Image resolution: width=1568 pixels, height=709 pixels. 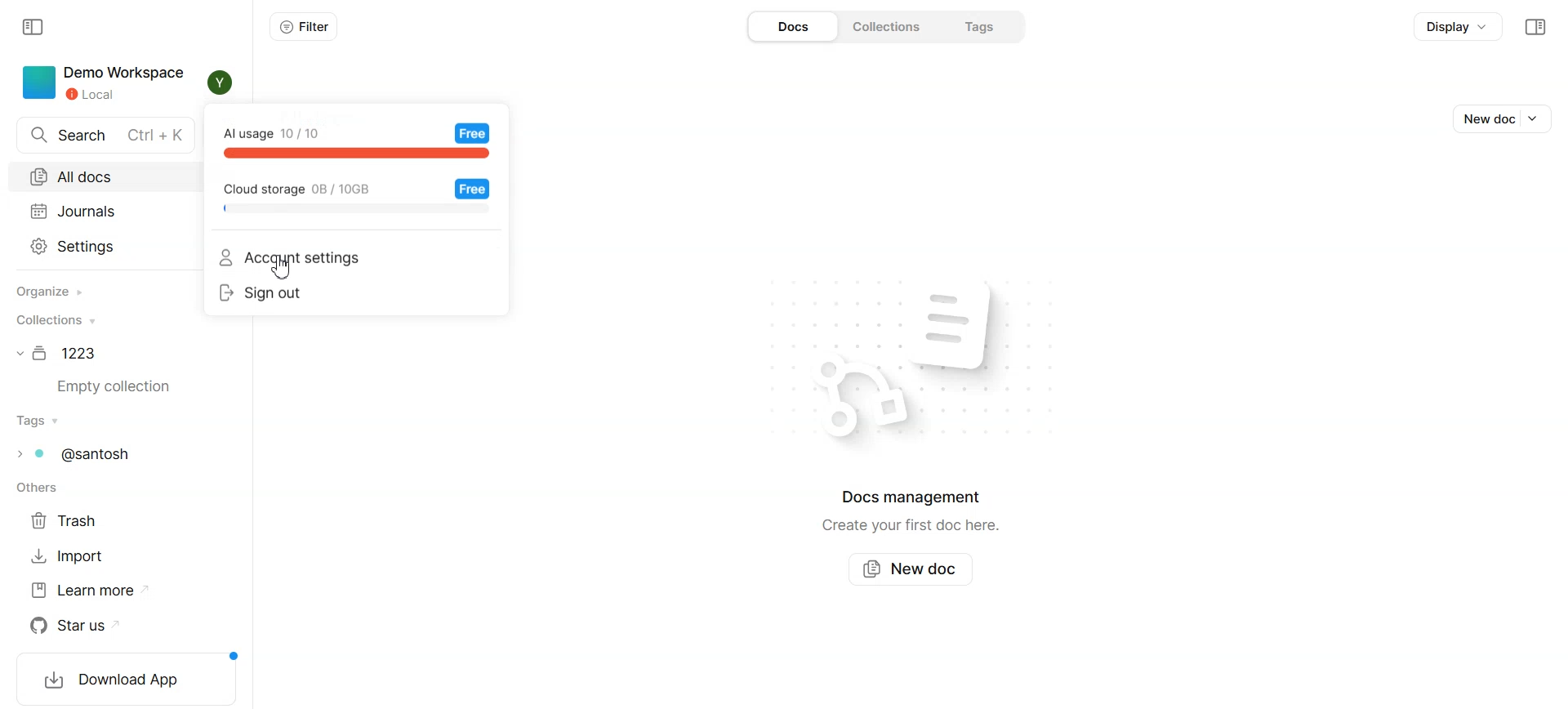 I want to click on Collections, so click(x=892, y=27).